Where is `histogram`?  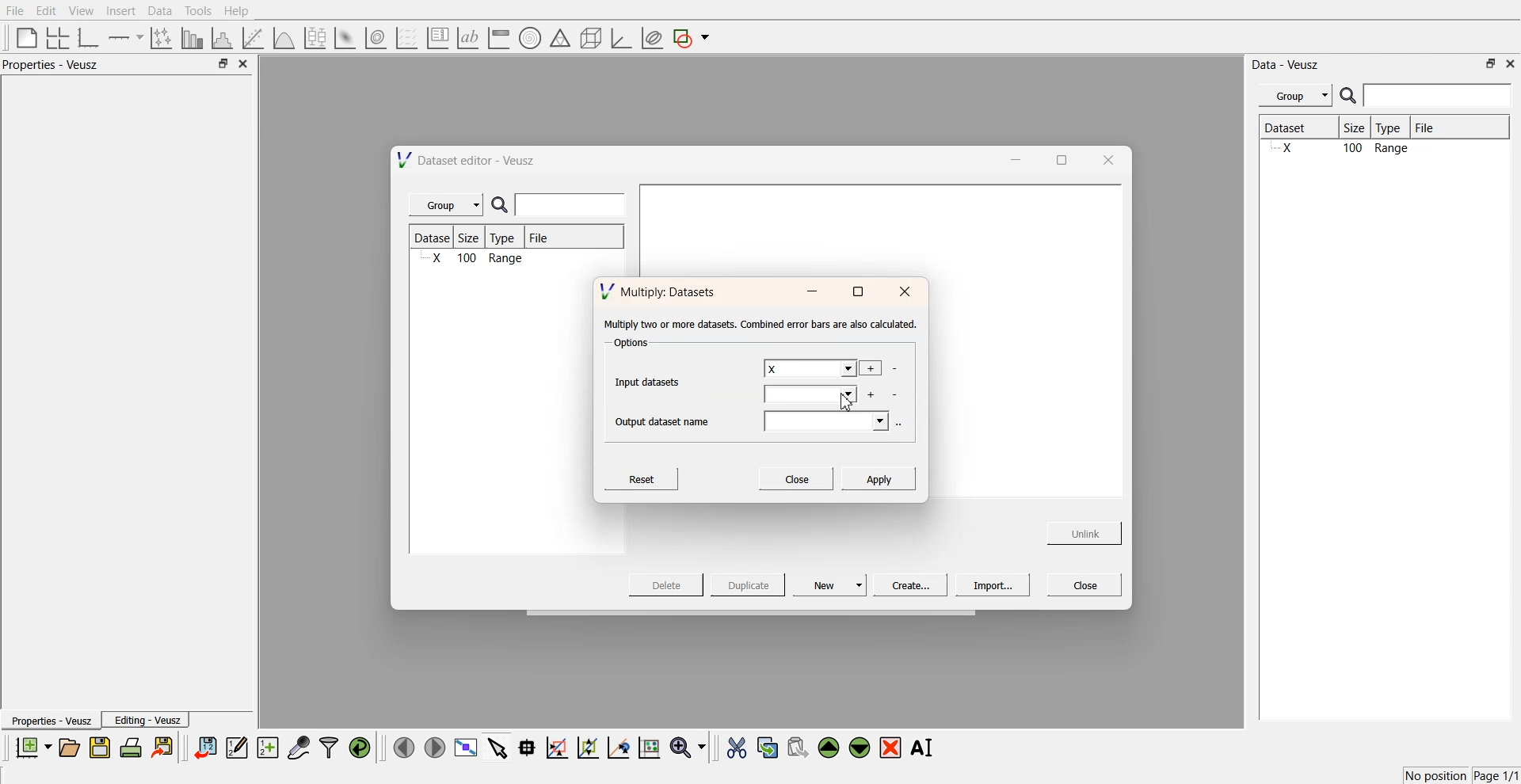 histogram is located at coordinates (225, 37).